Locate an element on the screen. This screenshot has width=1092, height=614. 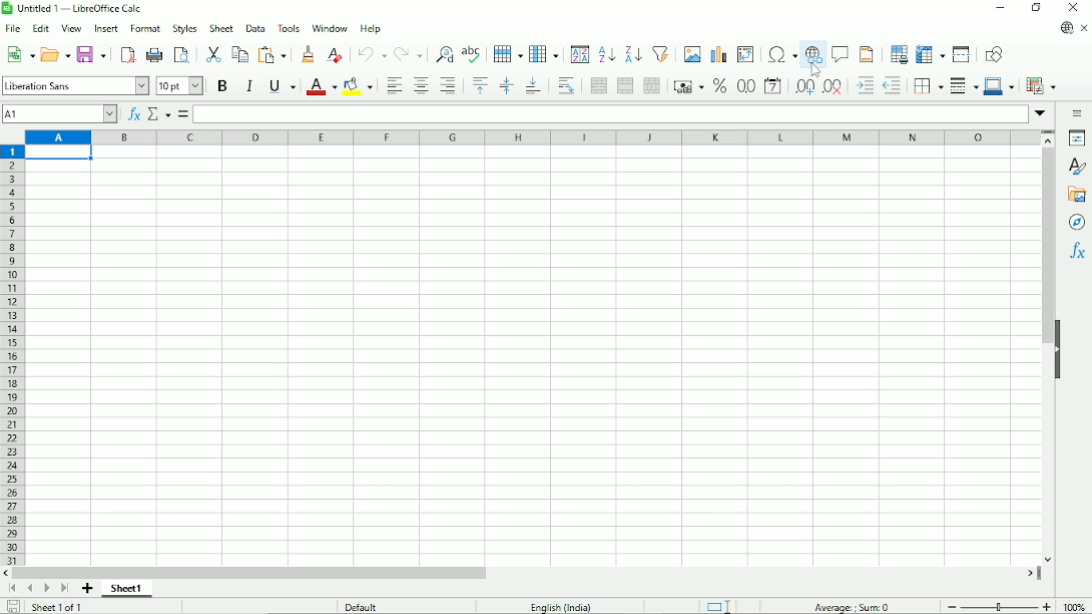
Scroll to last sheet is located at coordinates (63, 589).